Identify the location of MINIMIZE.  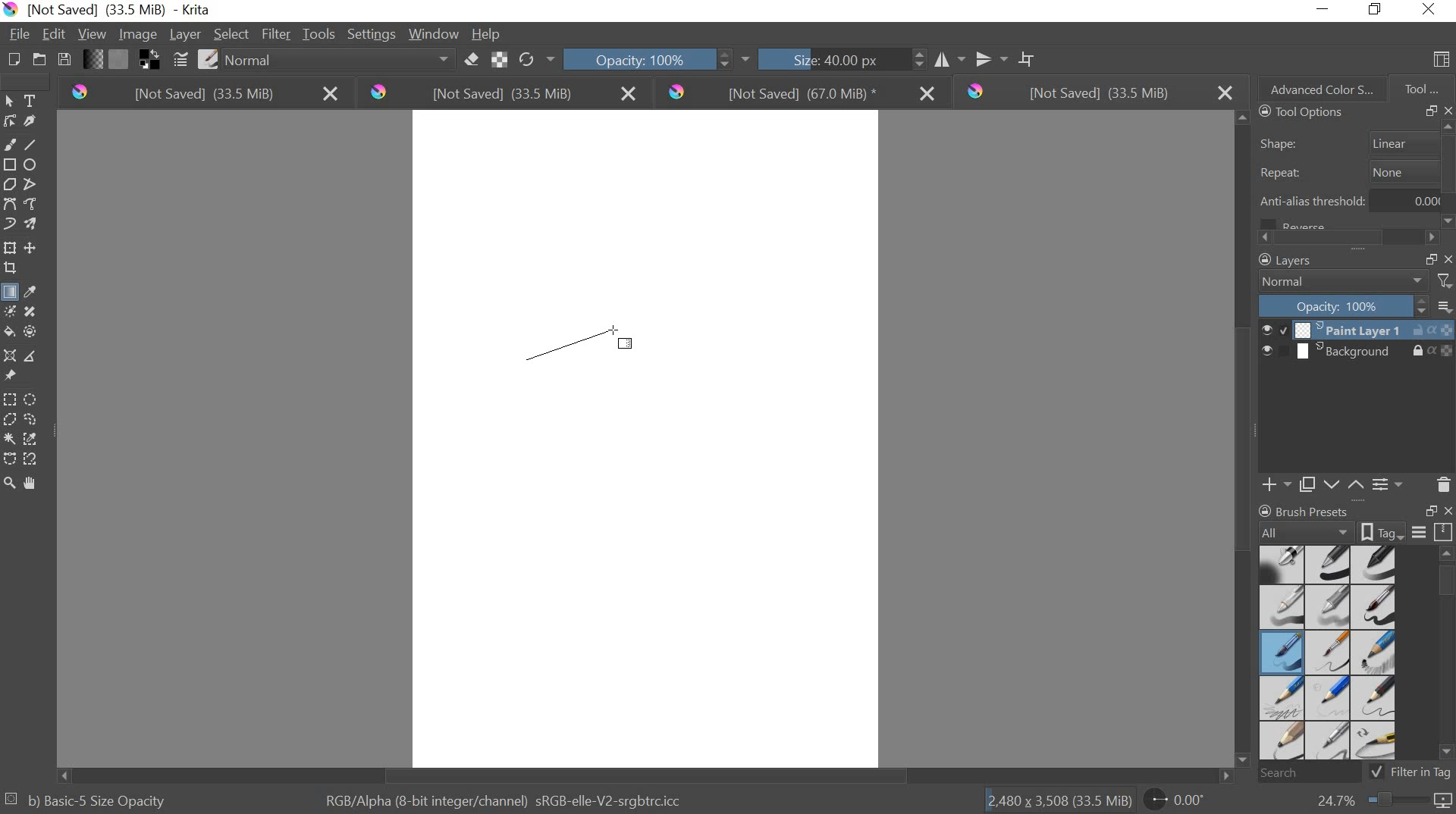
(1324, 7).